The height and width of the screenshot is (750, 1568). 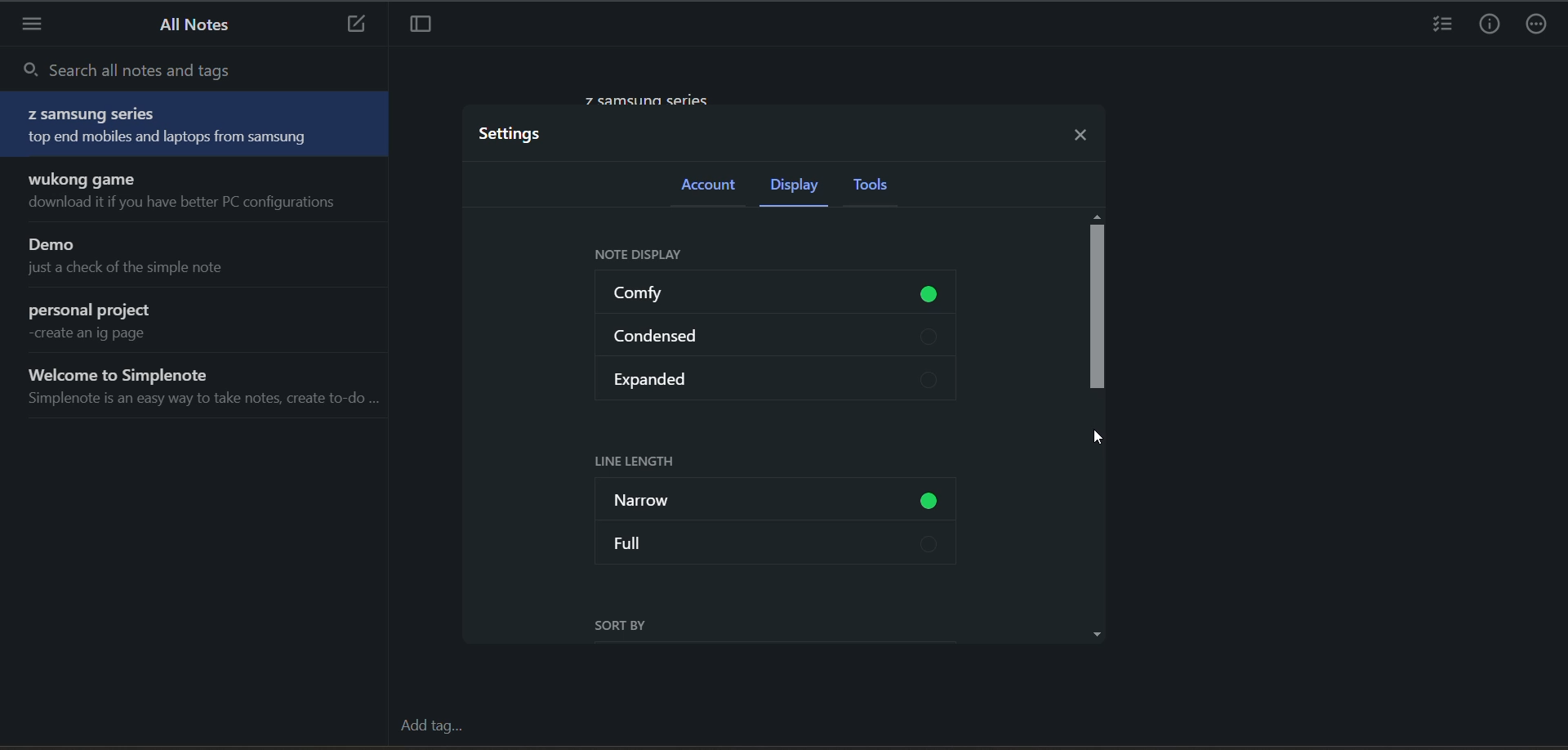 What do you see at coordinates (800, 185) in the screenshot?
I see `display` at bounding box center [800, 185].